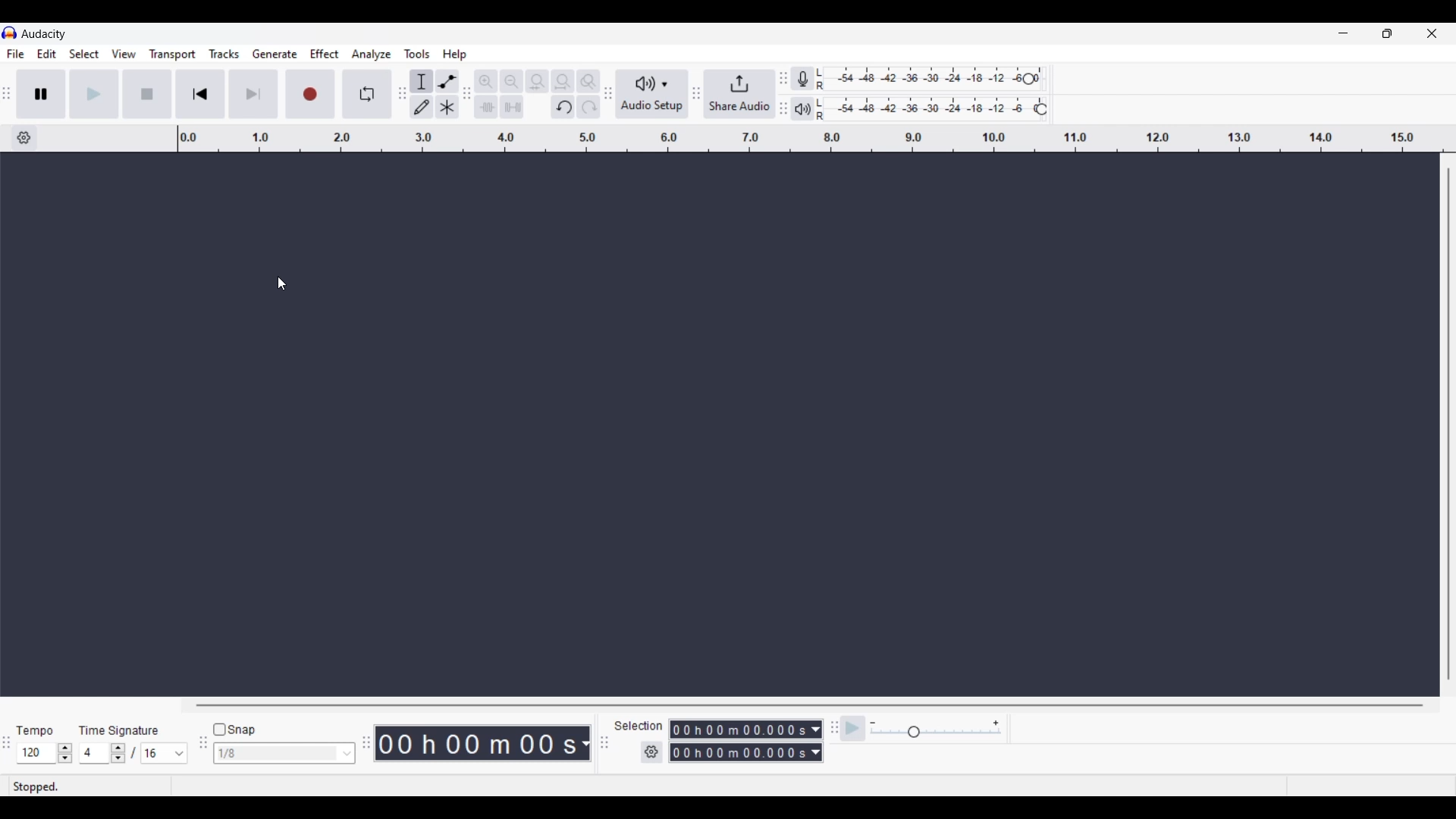 Image resolution: width=1456 pixels, height=819 pixels. I want to click on Skip to end/Select to end, so click(253, 94).